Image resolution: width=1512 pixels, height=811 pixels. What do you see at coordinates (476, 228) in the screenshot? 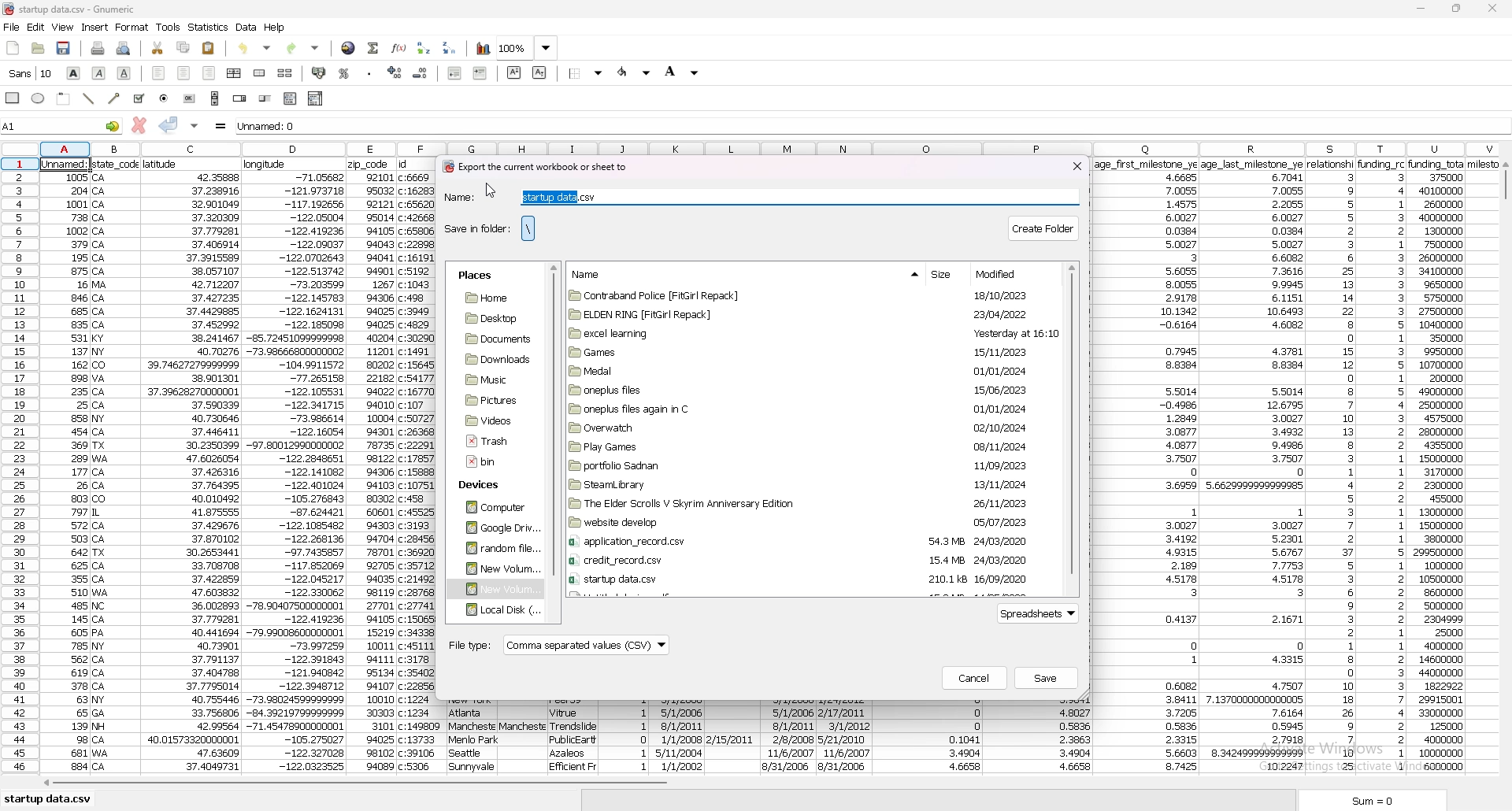
I see `save in folder` at bounding box center [476, 228].